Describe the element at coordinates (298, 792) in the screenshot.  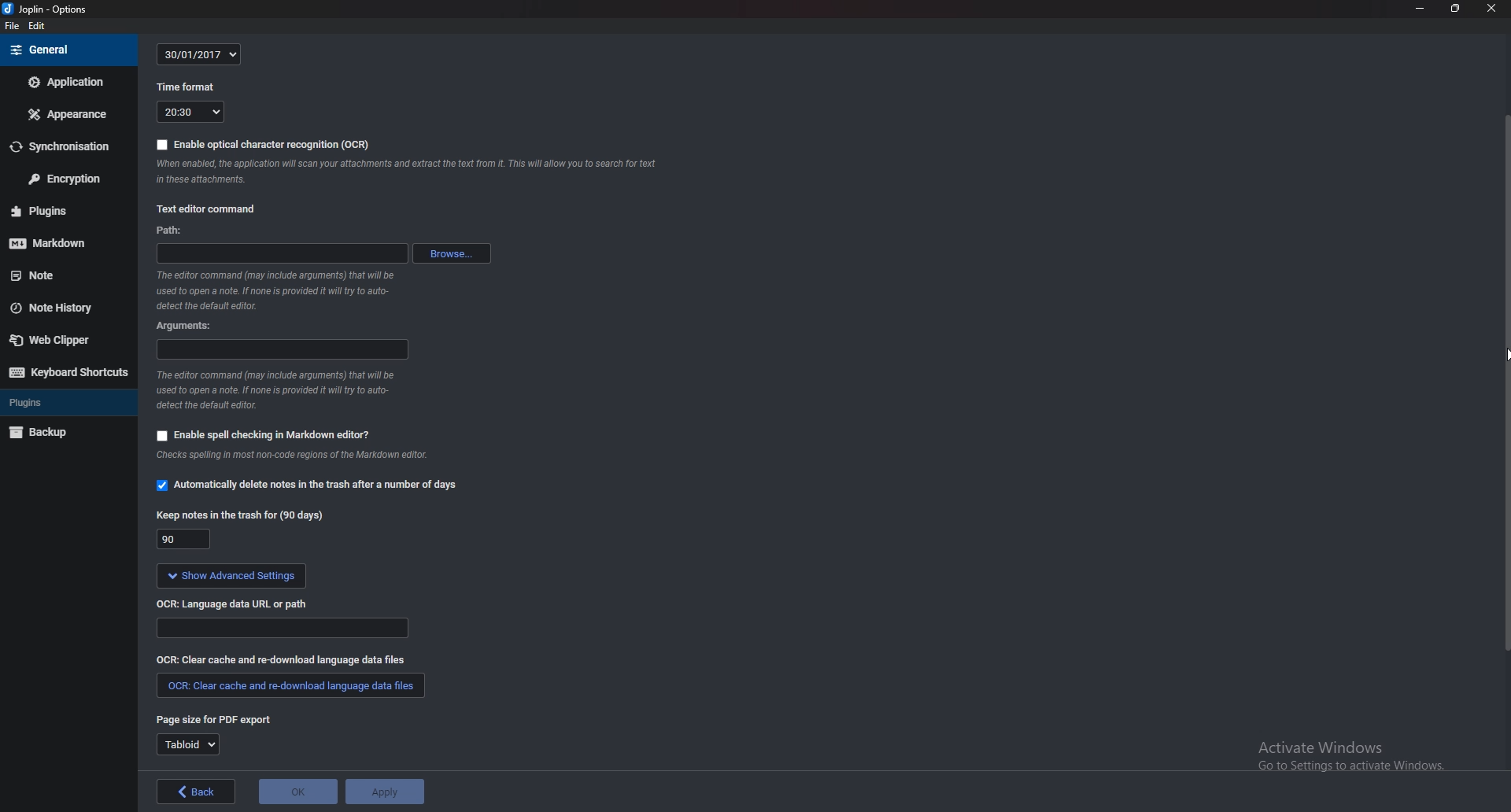
I see `OK` at that location.